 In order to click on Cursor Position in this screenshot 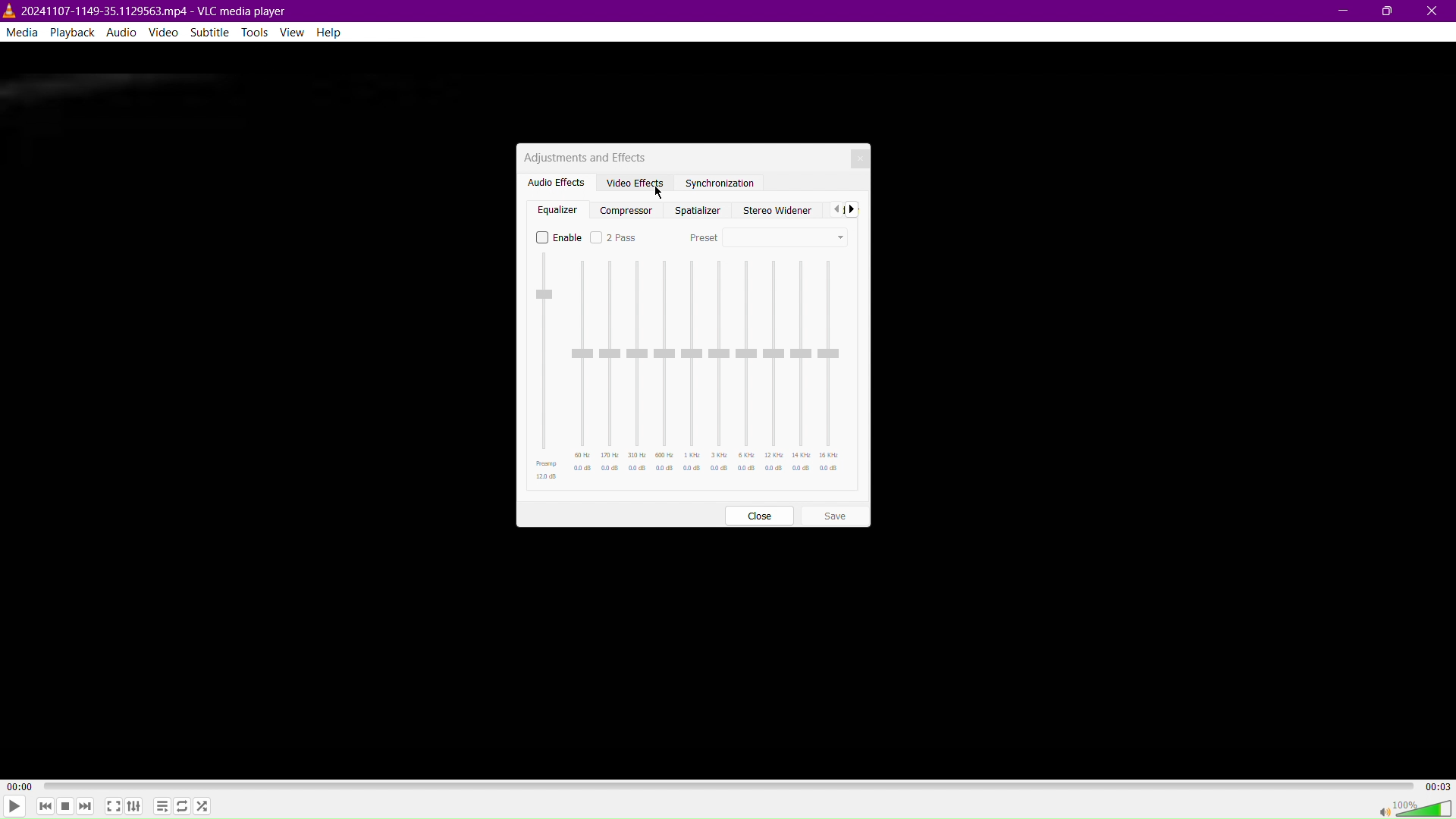, I will do `click(659, 188)`.